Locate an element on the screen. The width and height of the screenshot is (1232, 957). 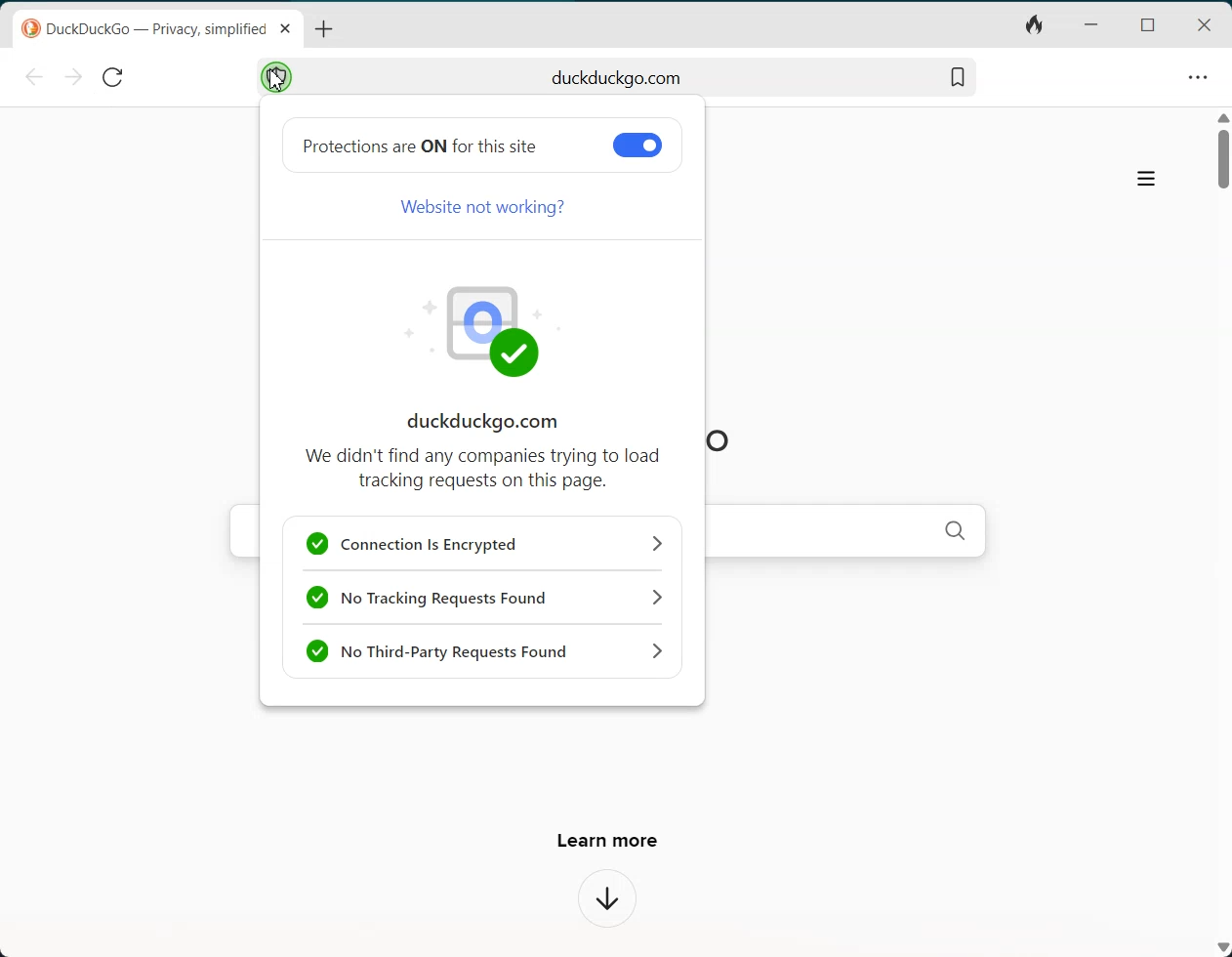
duckduckgo - privacy, simplified is located at coordinates (144, 30).